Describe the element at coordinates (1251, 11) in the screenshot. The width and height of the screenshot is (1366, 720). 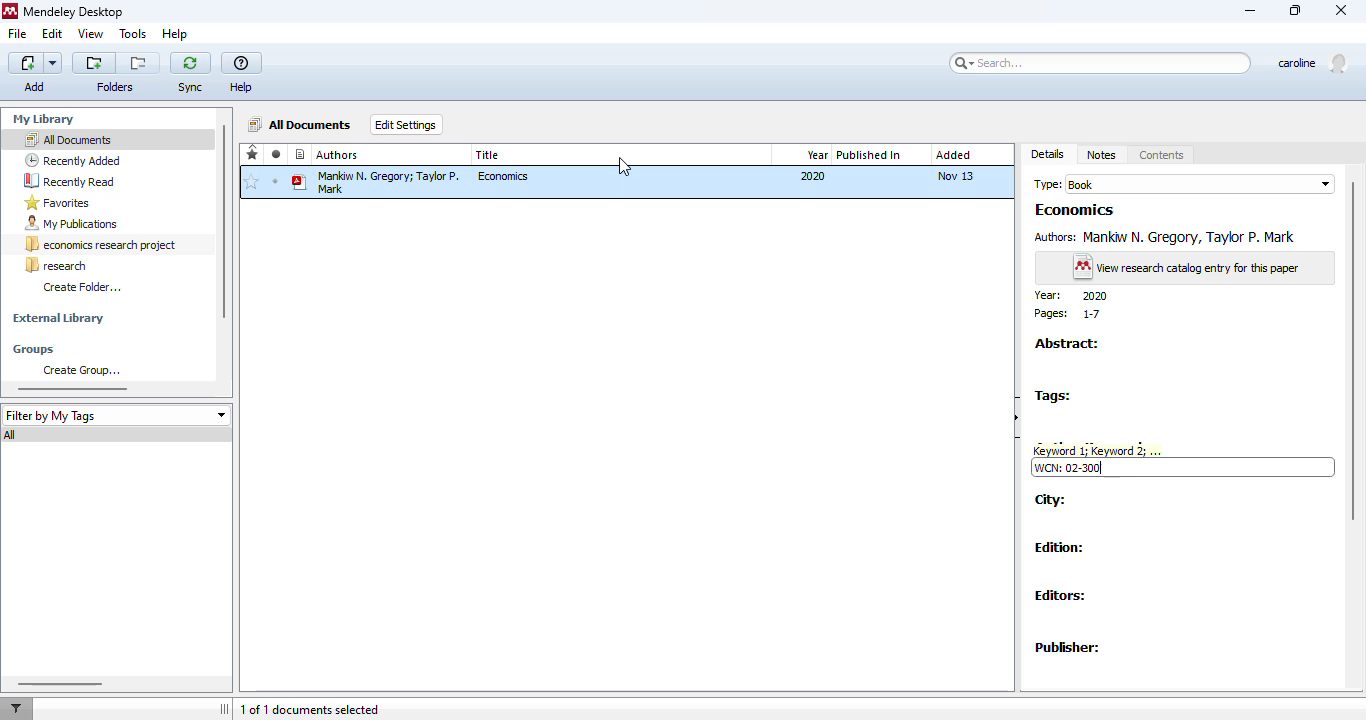
I see `minimize` at that location.